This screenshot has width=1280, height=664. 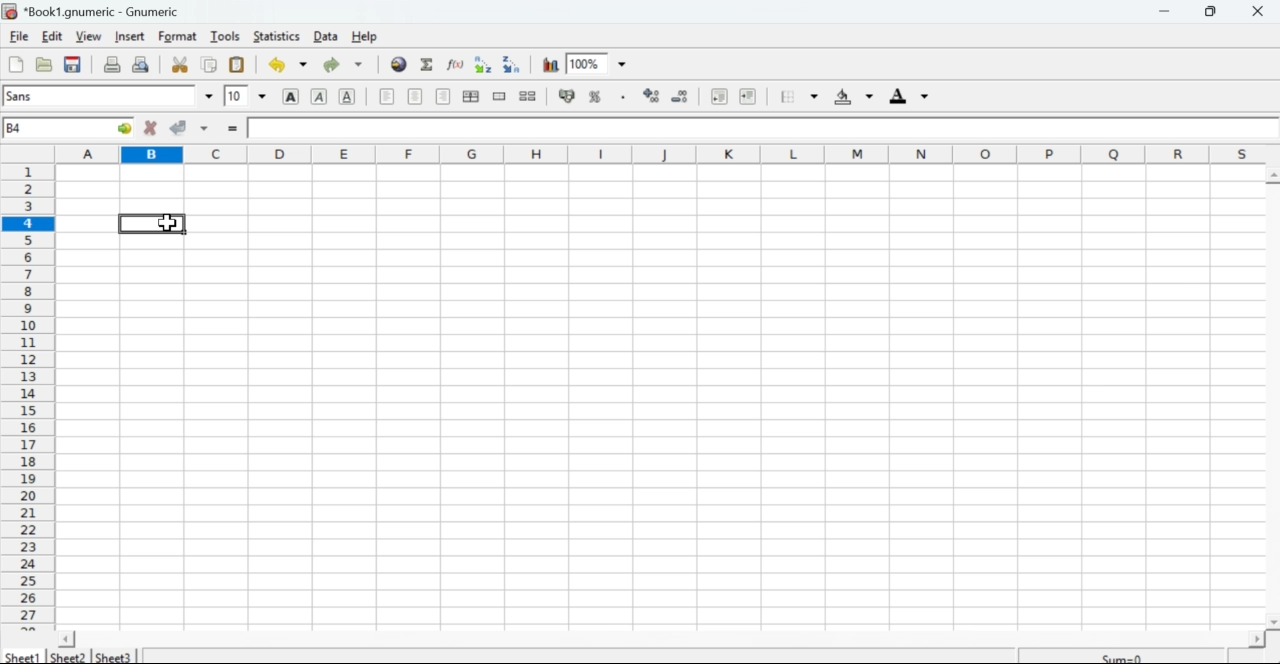 I want to click on numbering column, so click(x=28, y=397).